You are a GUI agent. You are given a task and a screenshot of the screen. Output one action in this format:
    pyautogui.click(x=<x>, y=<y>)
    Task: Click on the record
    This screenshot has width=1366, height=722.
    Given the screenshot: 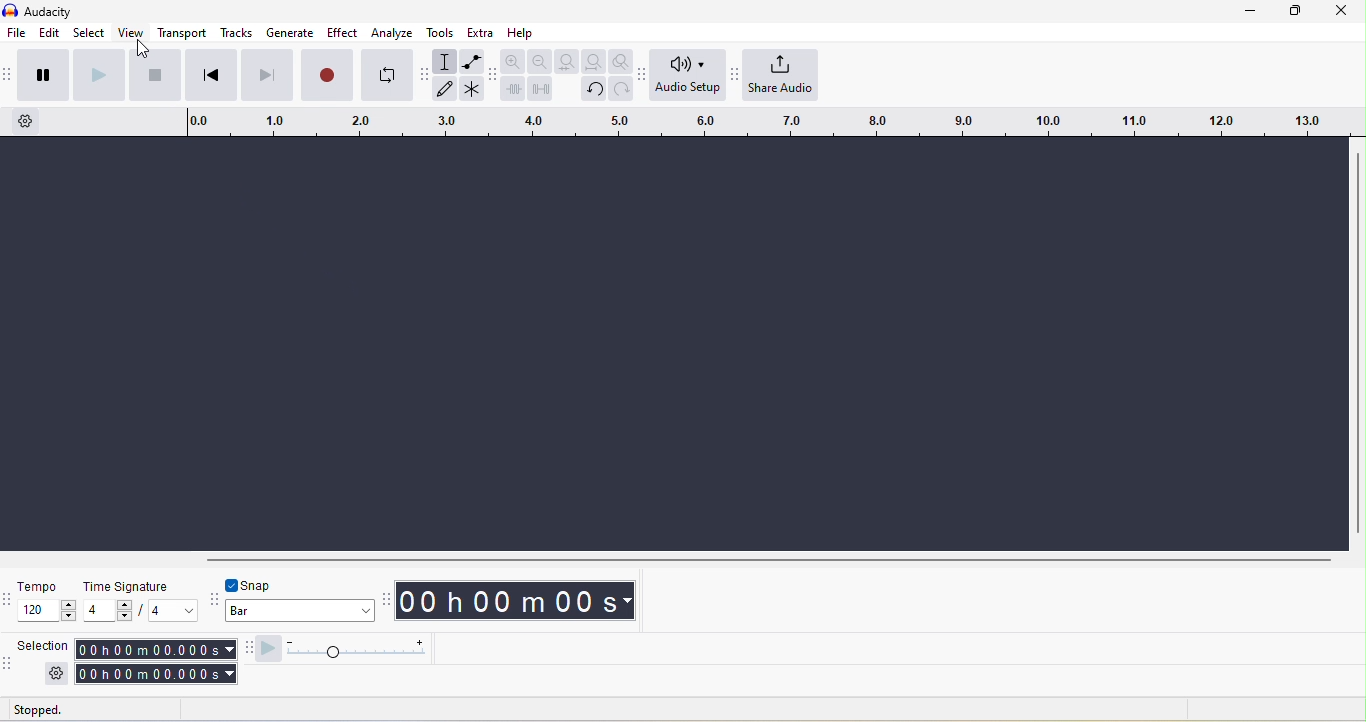 What is the action you would take?
    pyautogui.click(x=326, y=75)
    